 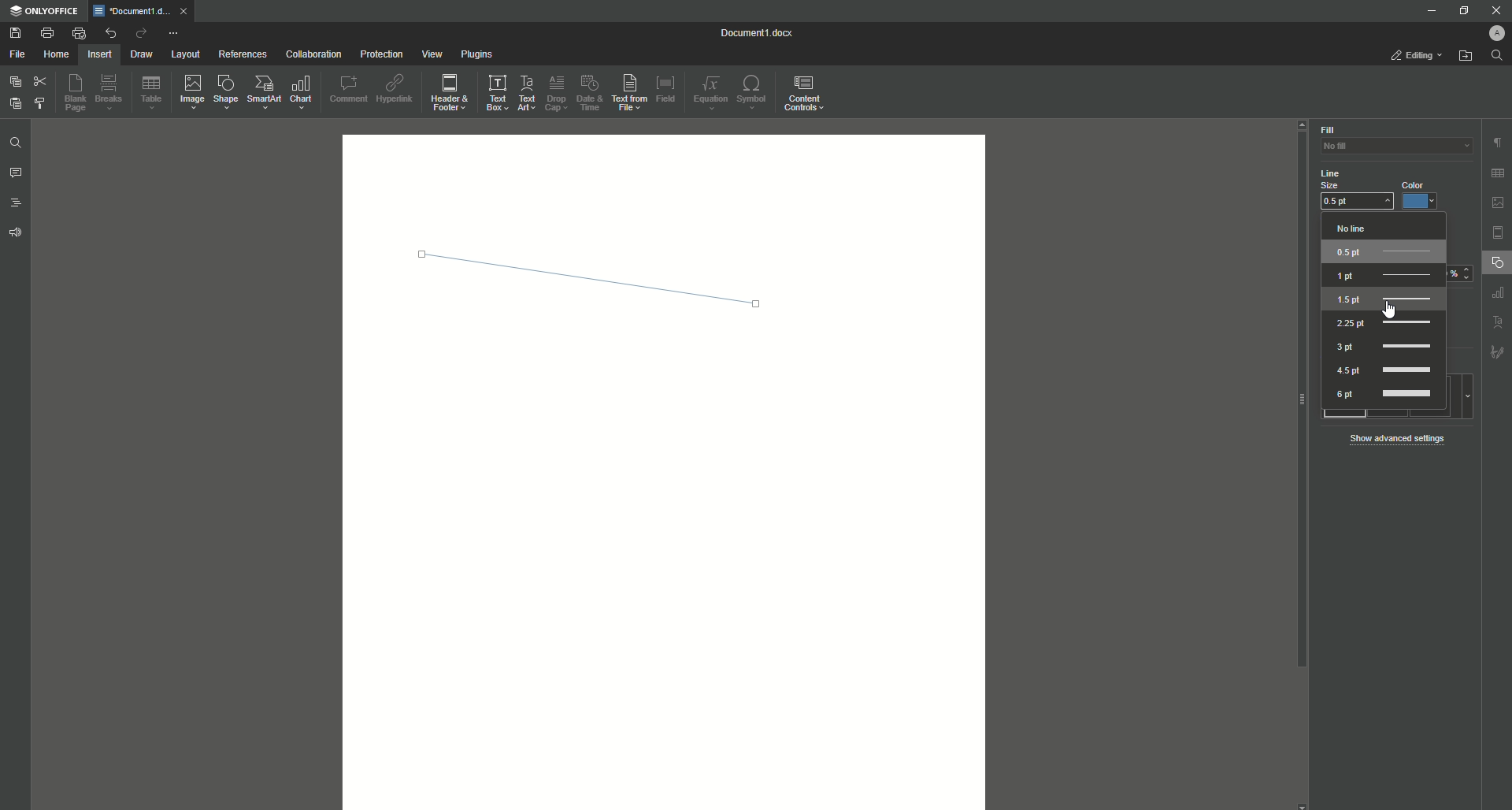 I want to click on Comment, so click(x=348, y=88).